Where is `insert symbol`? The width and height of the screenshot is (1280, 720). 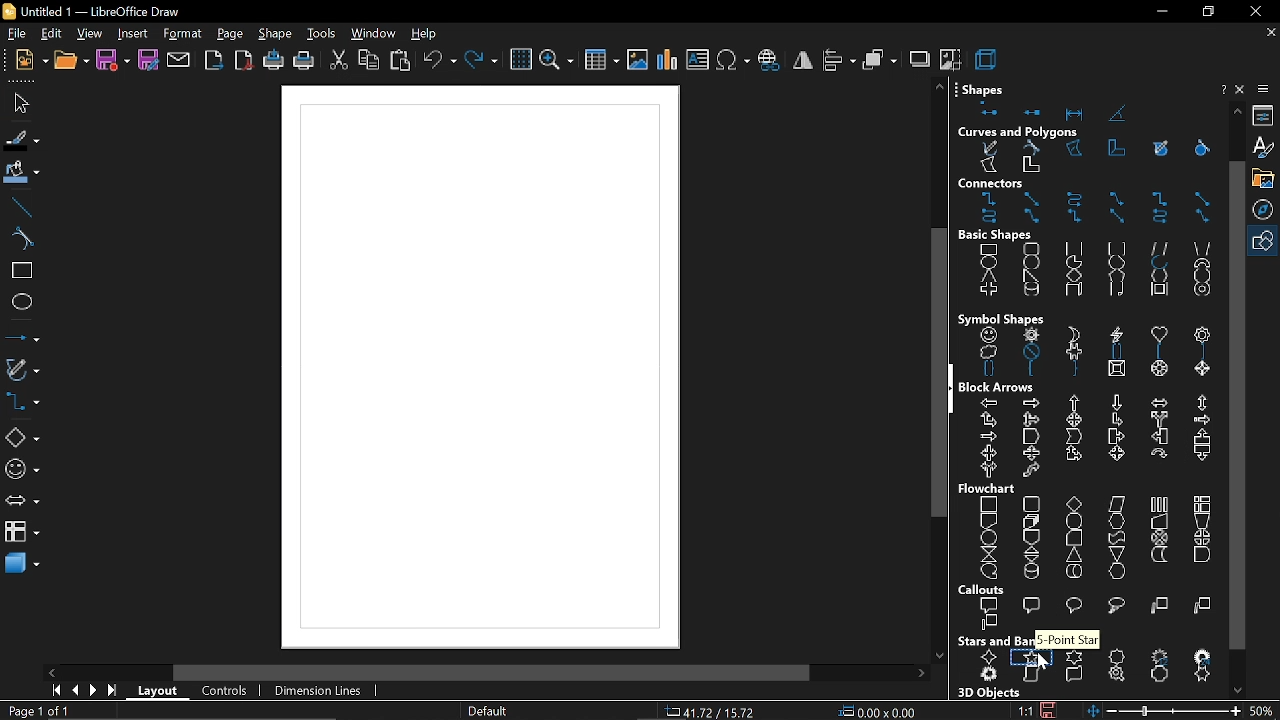 insert symbol is located at coordinates (734, 61).